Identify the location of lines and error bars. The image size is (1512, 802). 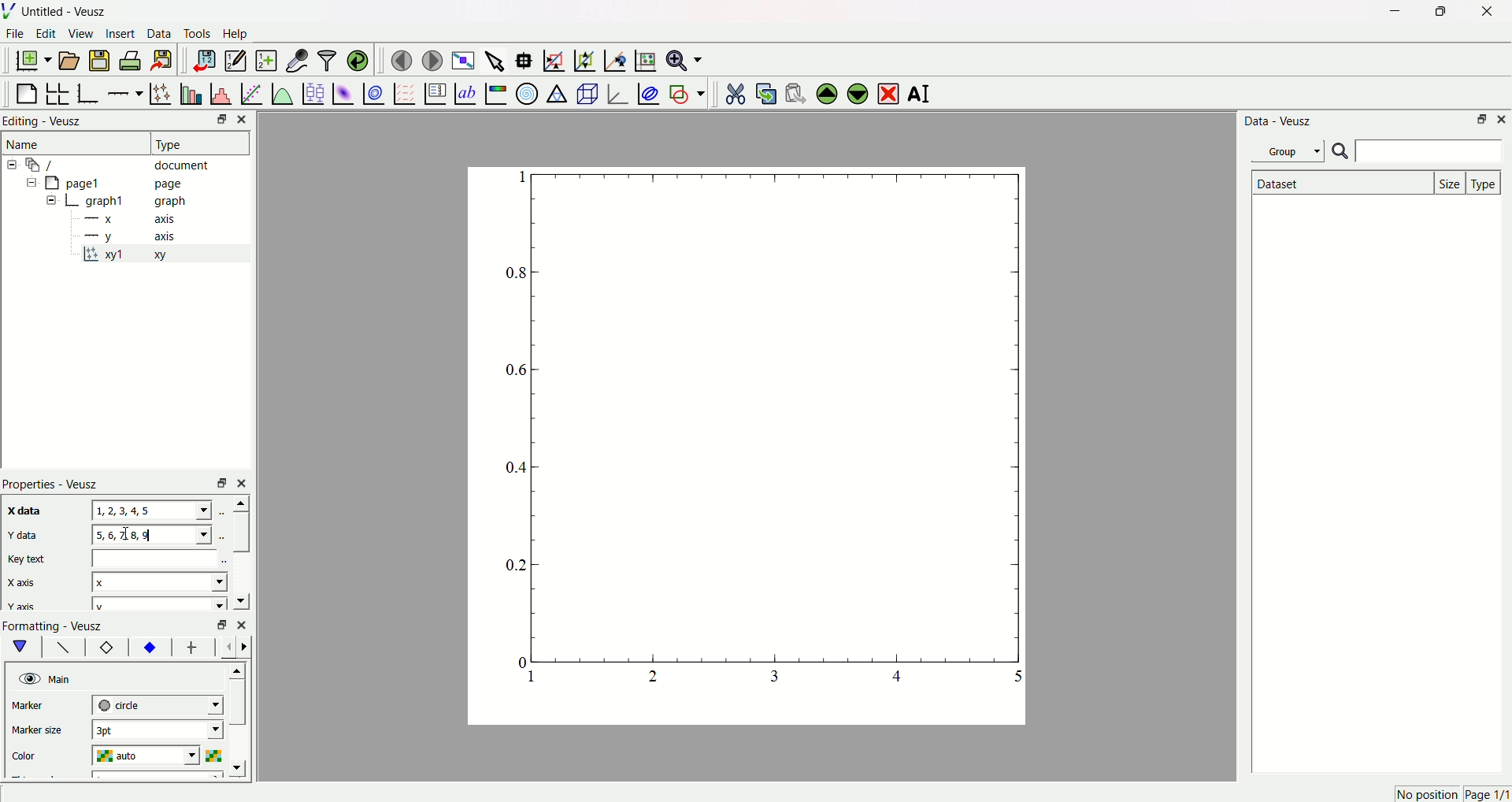
(160, 92).